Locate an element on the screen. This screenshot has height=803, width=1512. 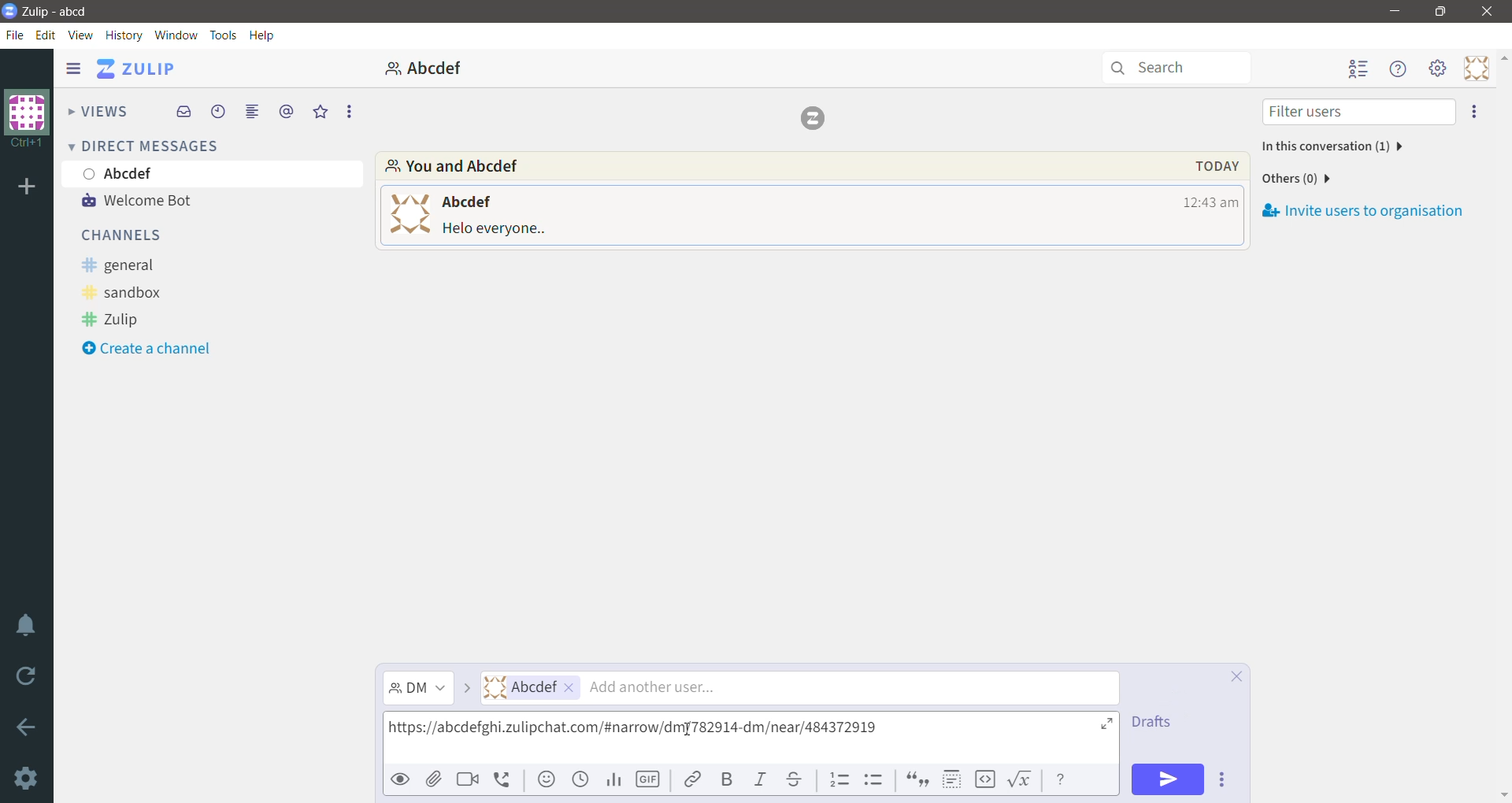
Starred Messages is located at coordinates (317, 112).